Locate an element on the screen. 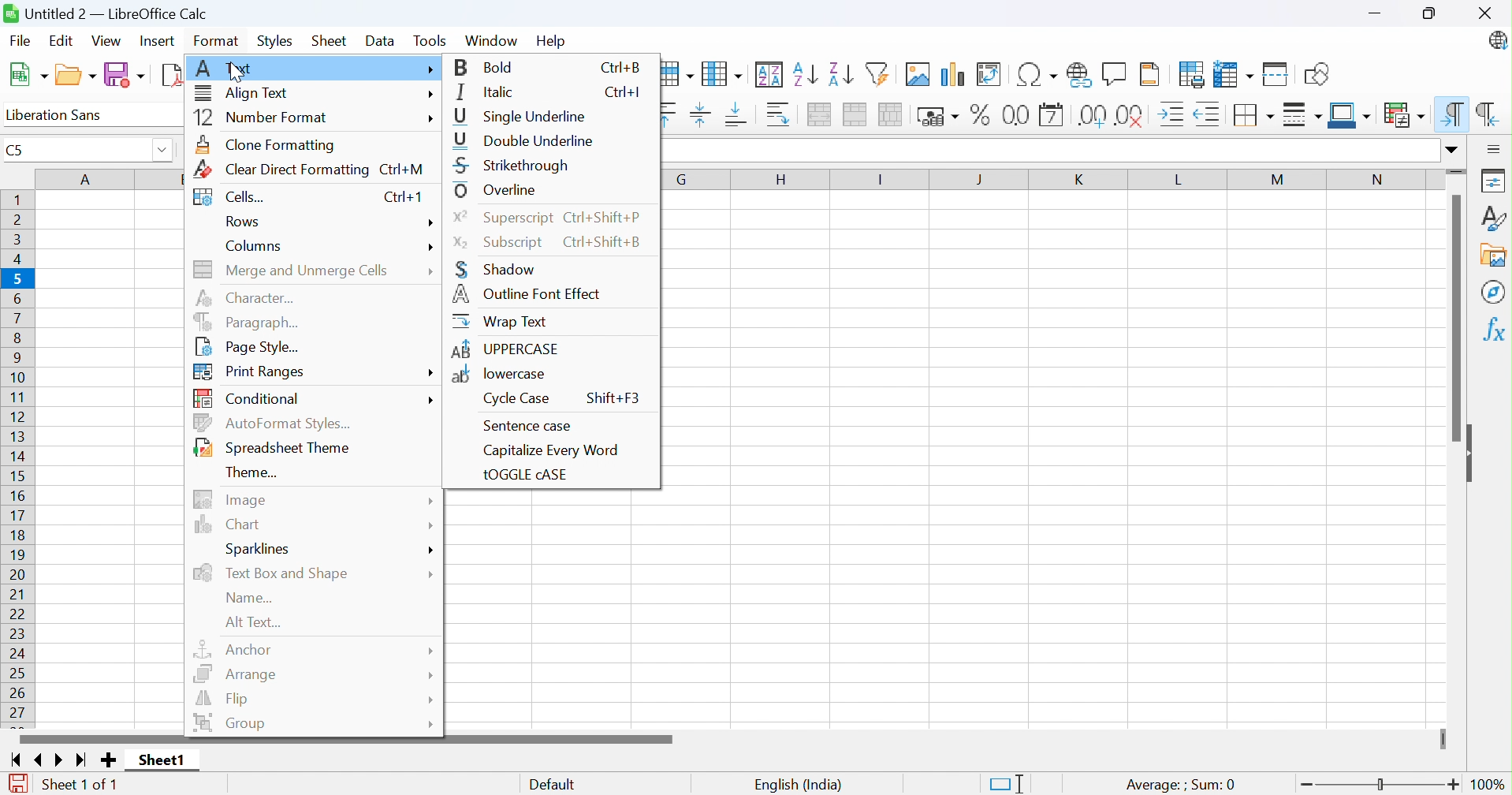 The width and height of the screenshot is (1512, 795). Spreadsheet theme is located at coordinates (274, 445).